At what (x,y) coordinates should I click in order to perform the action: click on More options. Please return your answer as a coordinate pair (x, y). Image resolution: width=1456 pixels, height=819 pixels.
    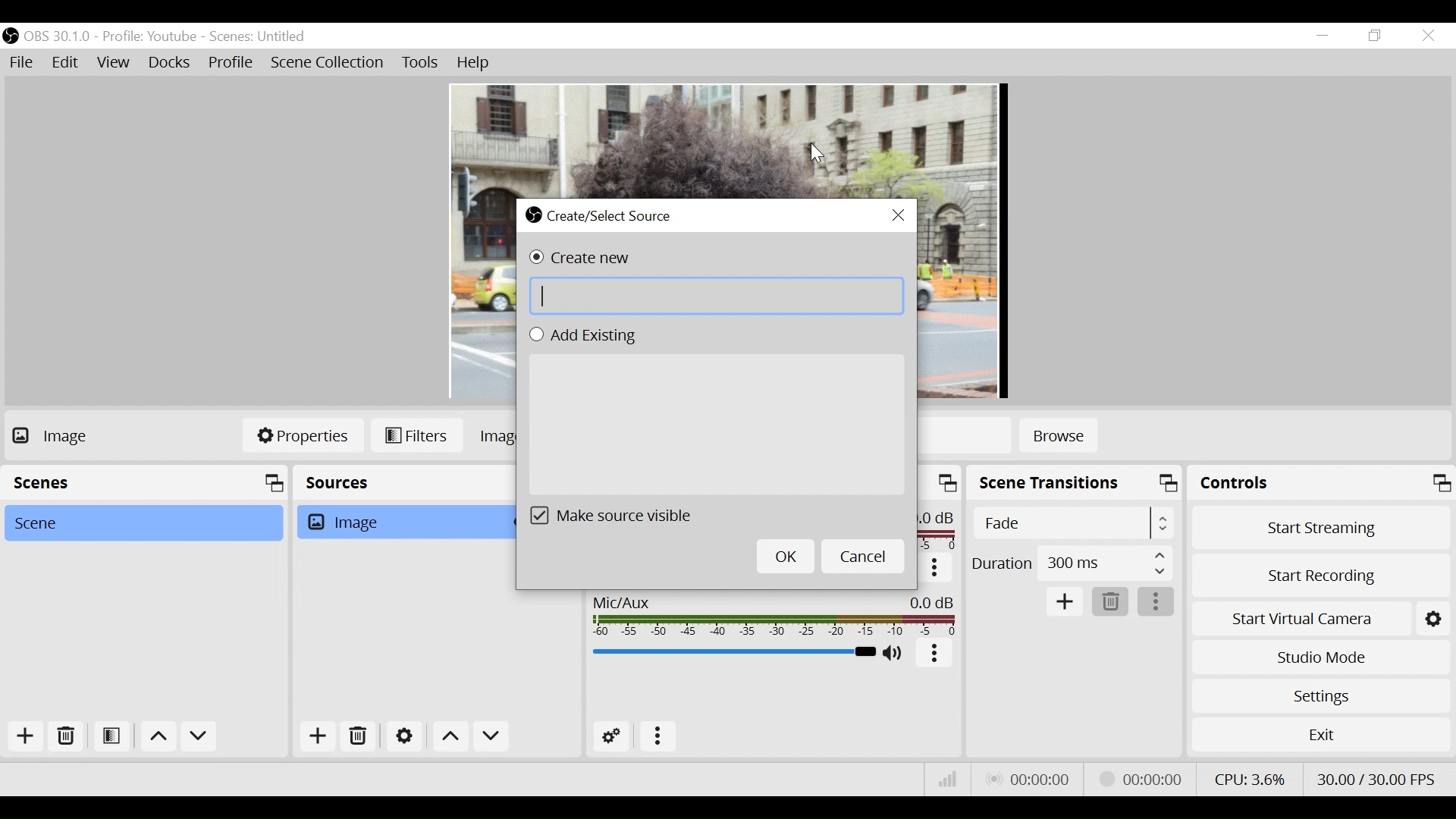
    Looking at the image, I should click on (934, 569).